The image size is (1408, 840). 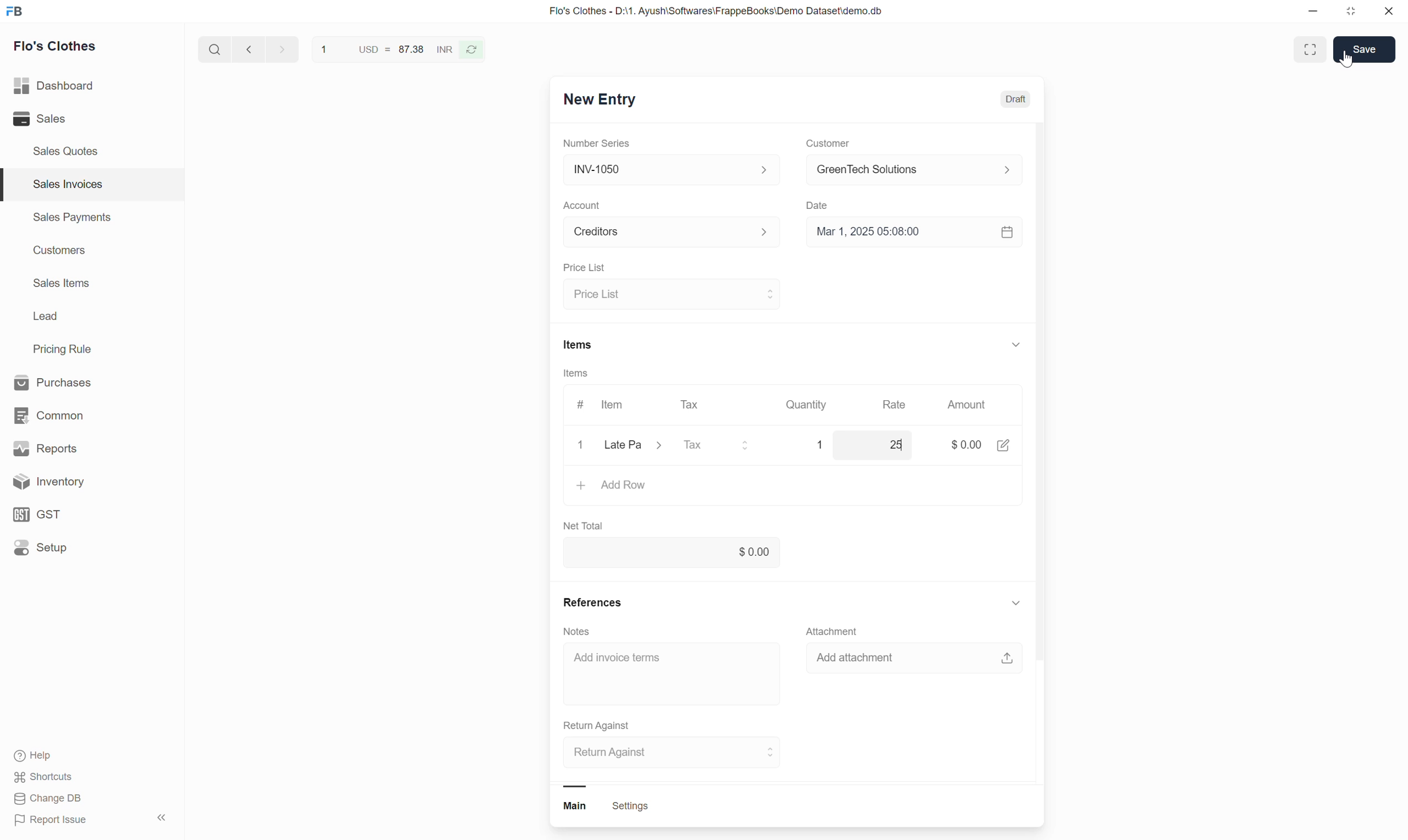 I want to click on select customer, so click(x=911, y=172).